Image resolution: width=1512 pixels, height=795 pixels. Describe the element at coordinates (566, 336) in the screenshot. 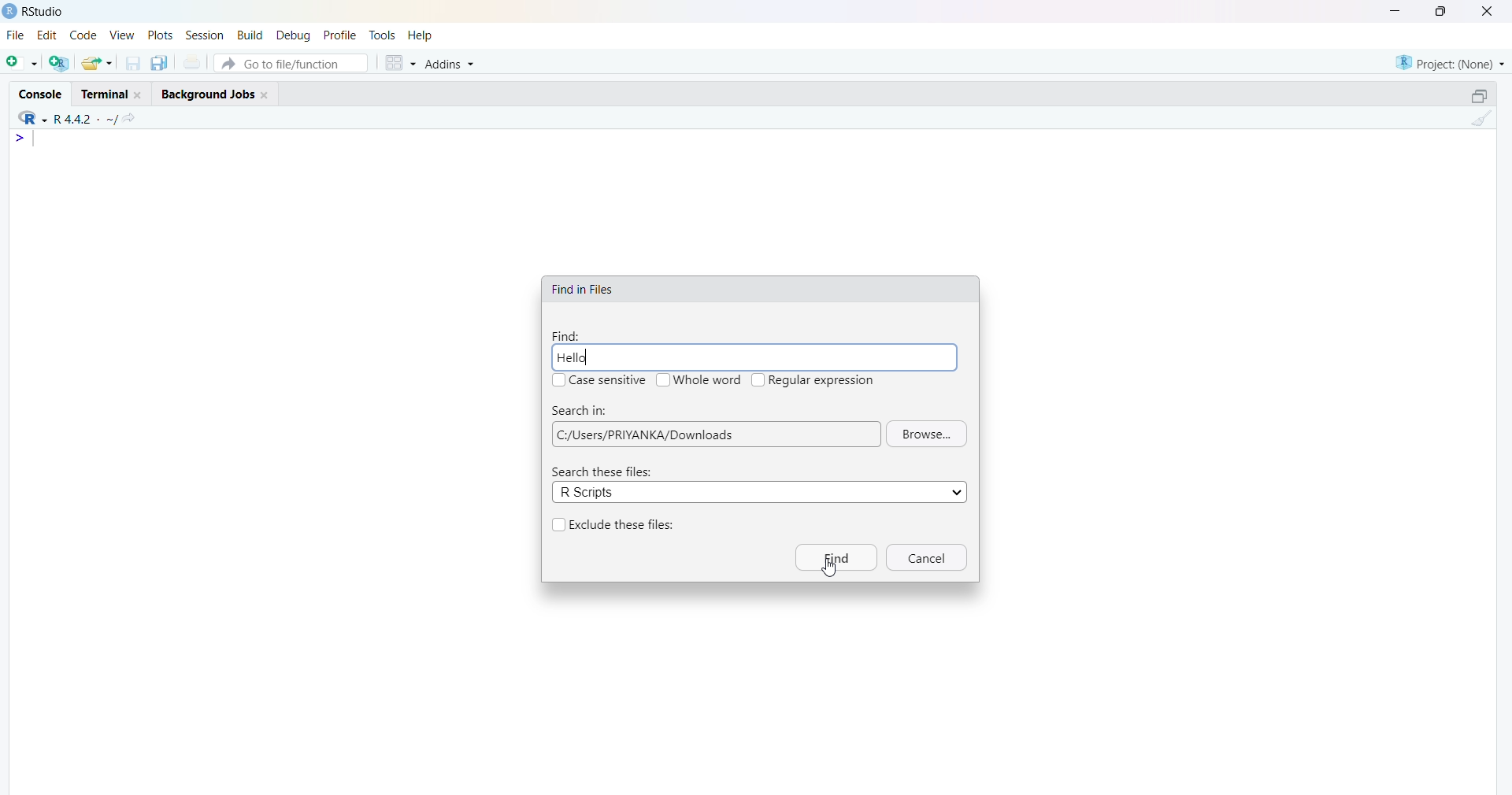

I see `Find:` at that location.